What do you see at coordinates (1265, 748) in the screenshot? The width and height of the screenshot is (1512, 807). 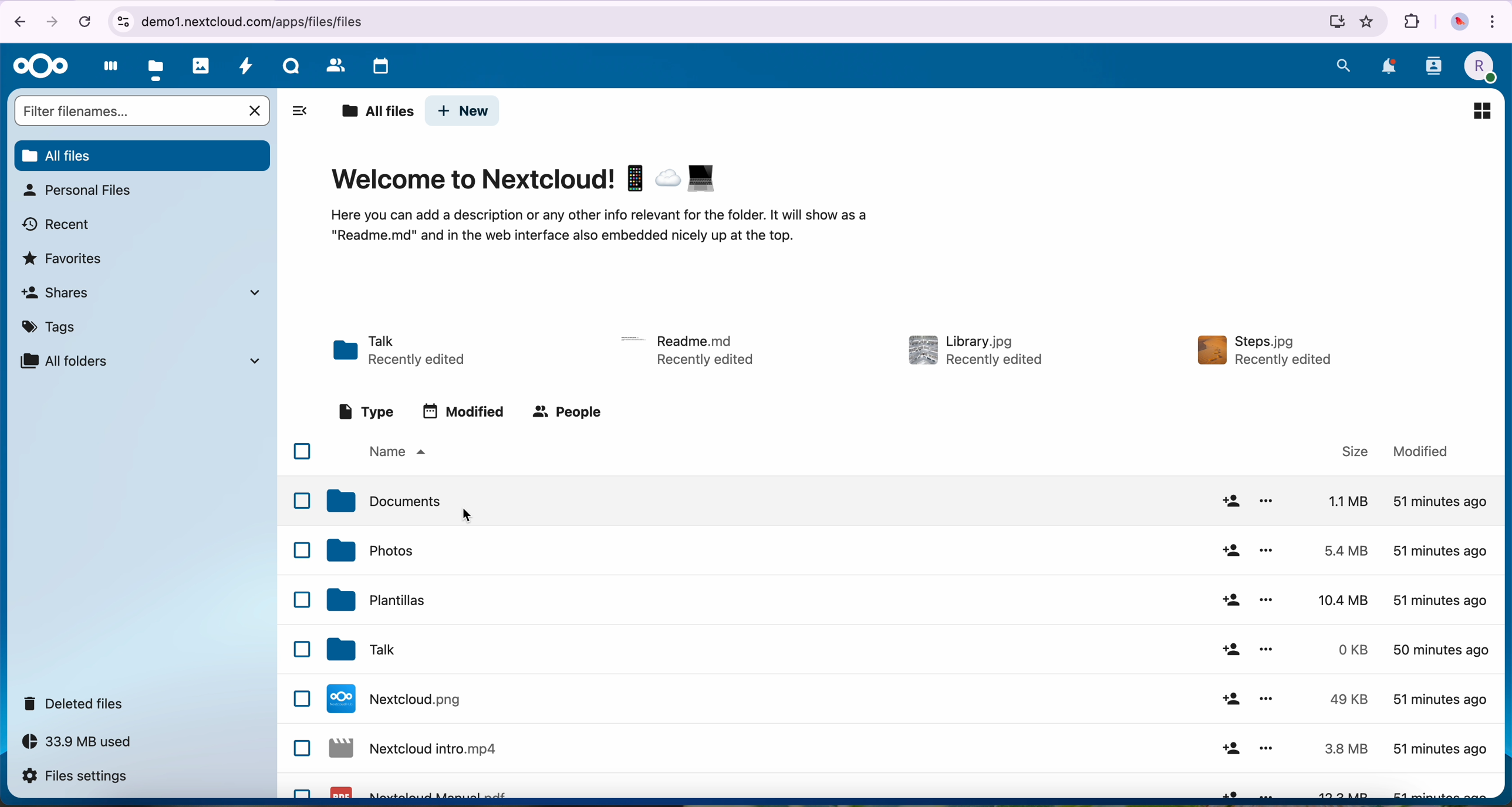 I see `options` at bounding box center [1265, 748].